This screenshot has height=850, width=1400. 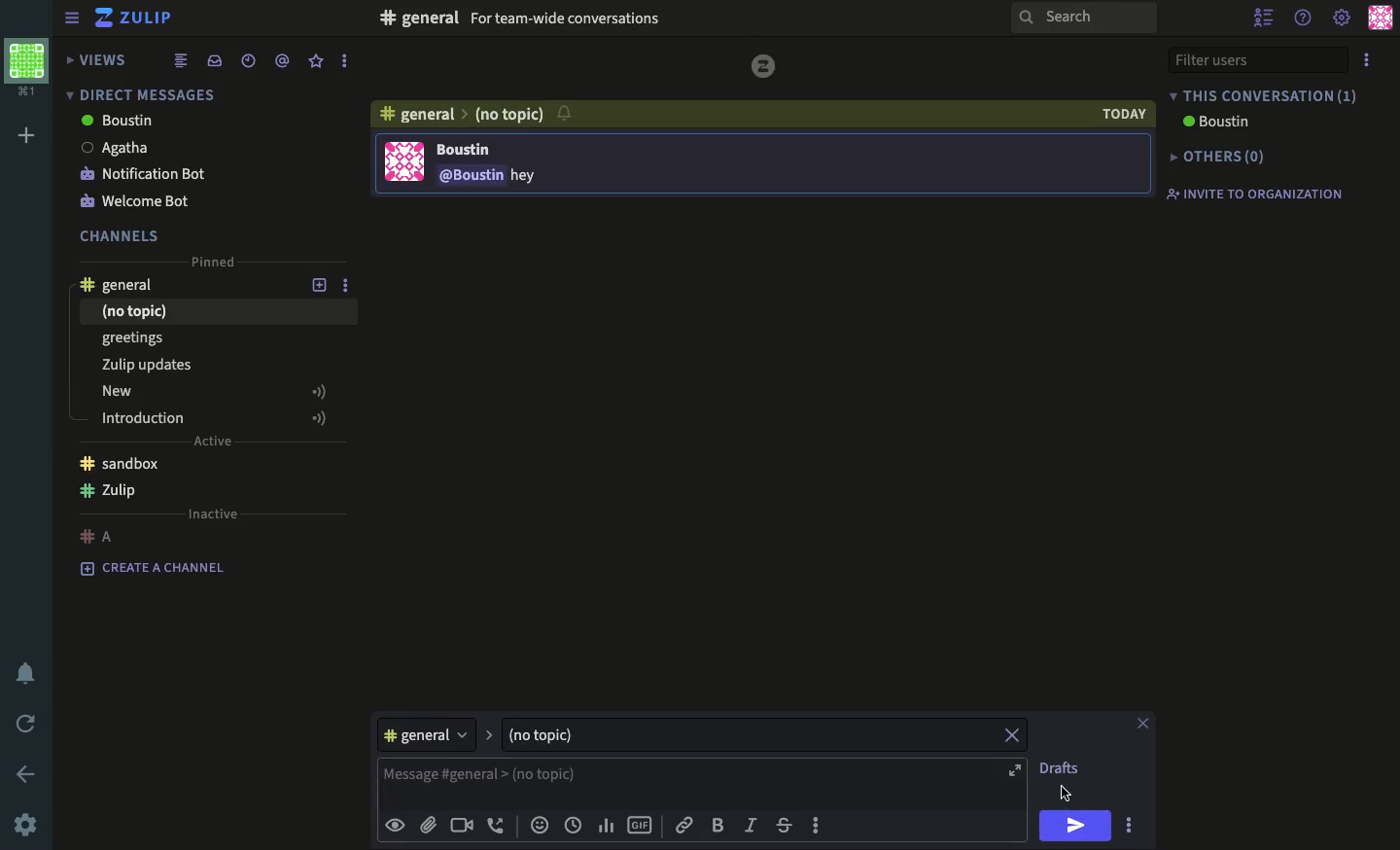 I want to click on #A, so click(x=100, y=531).